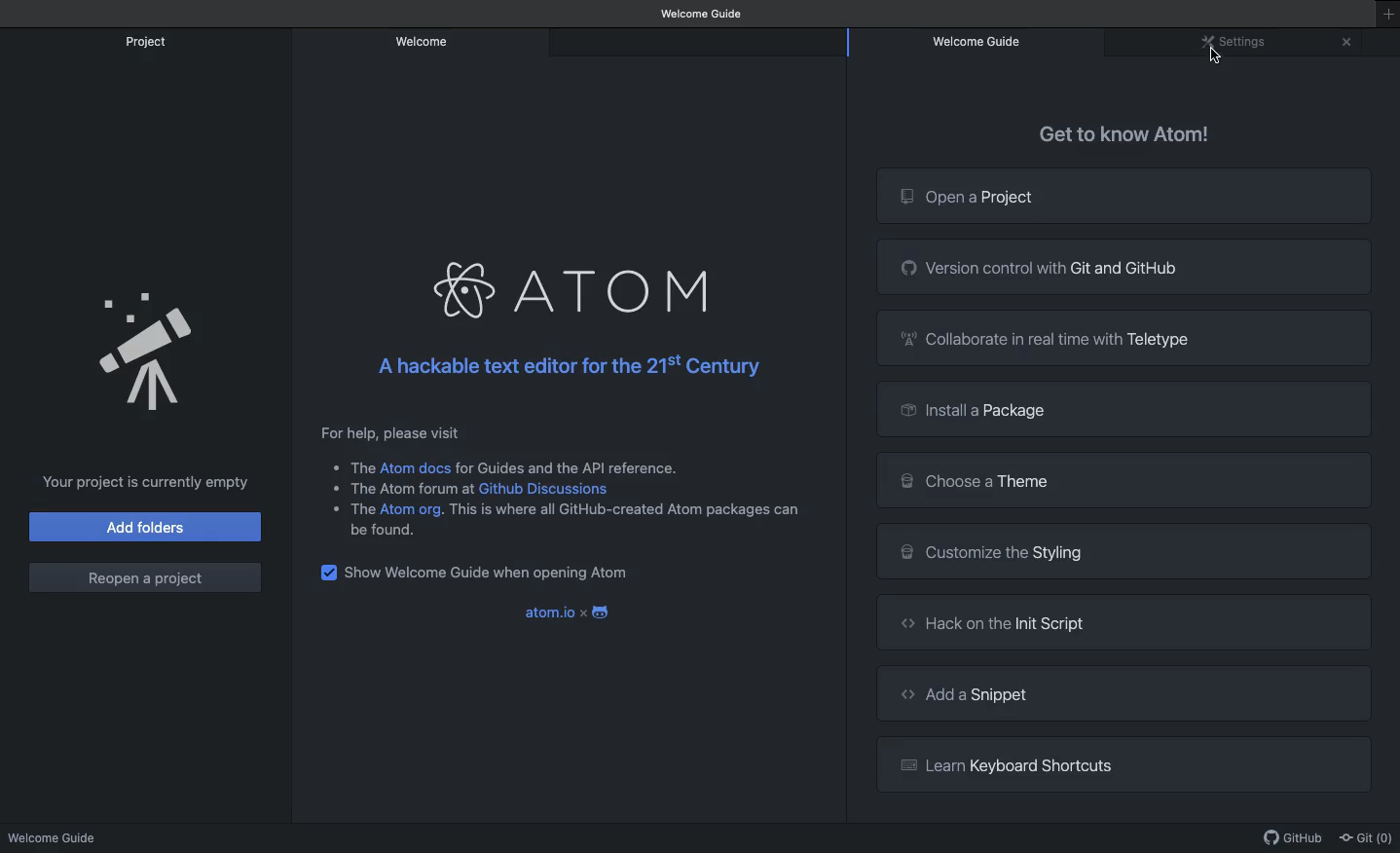  What do you see at coordinates (143, 480) in the screenshot?
I see `Your project is currently empty` at bounding box center [143, 480].